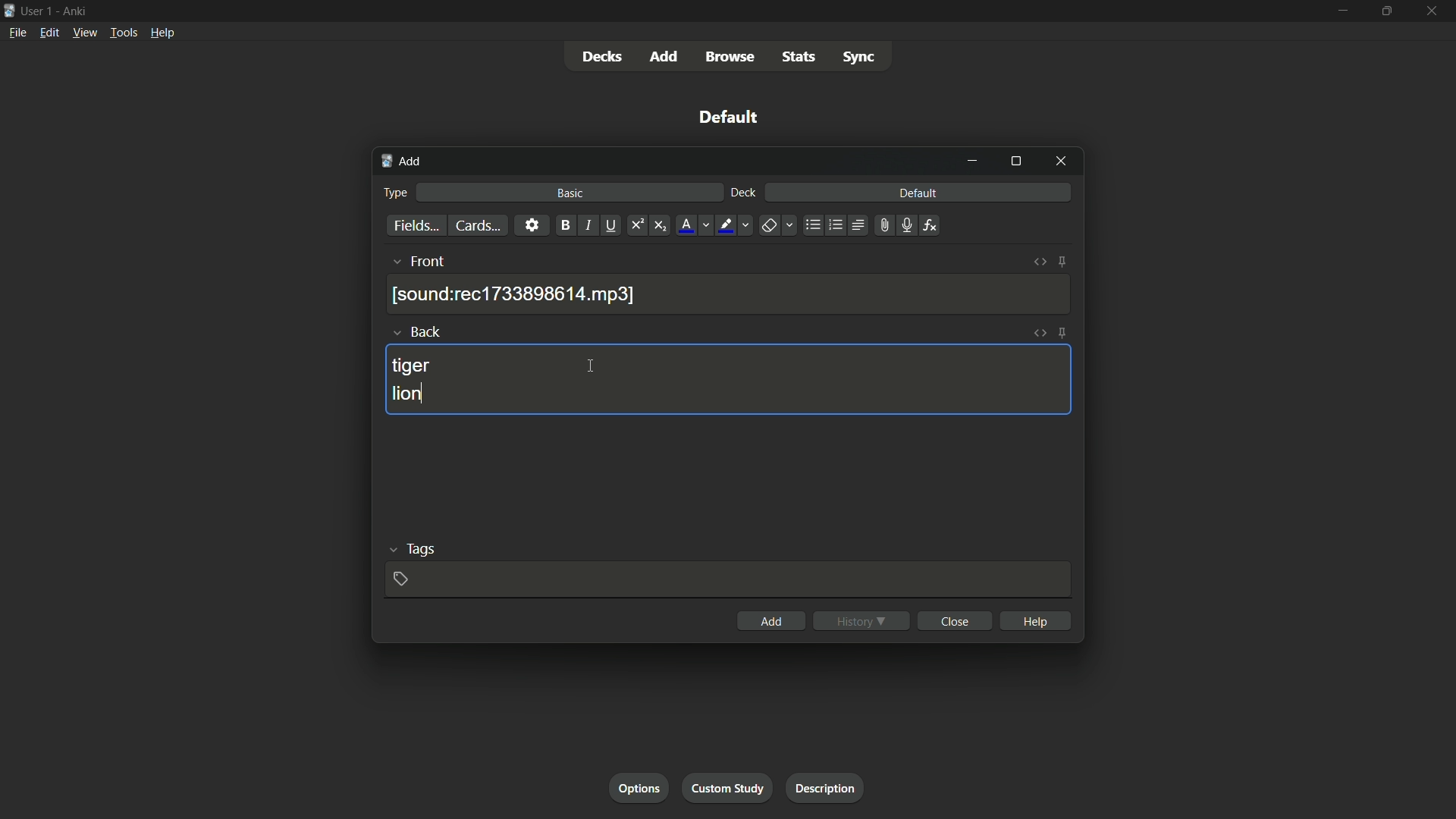 This screenshot has width=1456, height=819. I want to click on unordered list, so click(812, 225).